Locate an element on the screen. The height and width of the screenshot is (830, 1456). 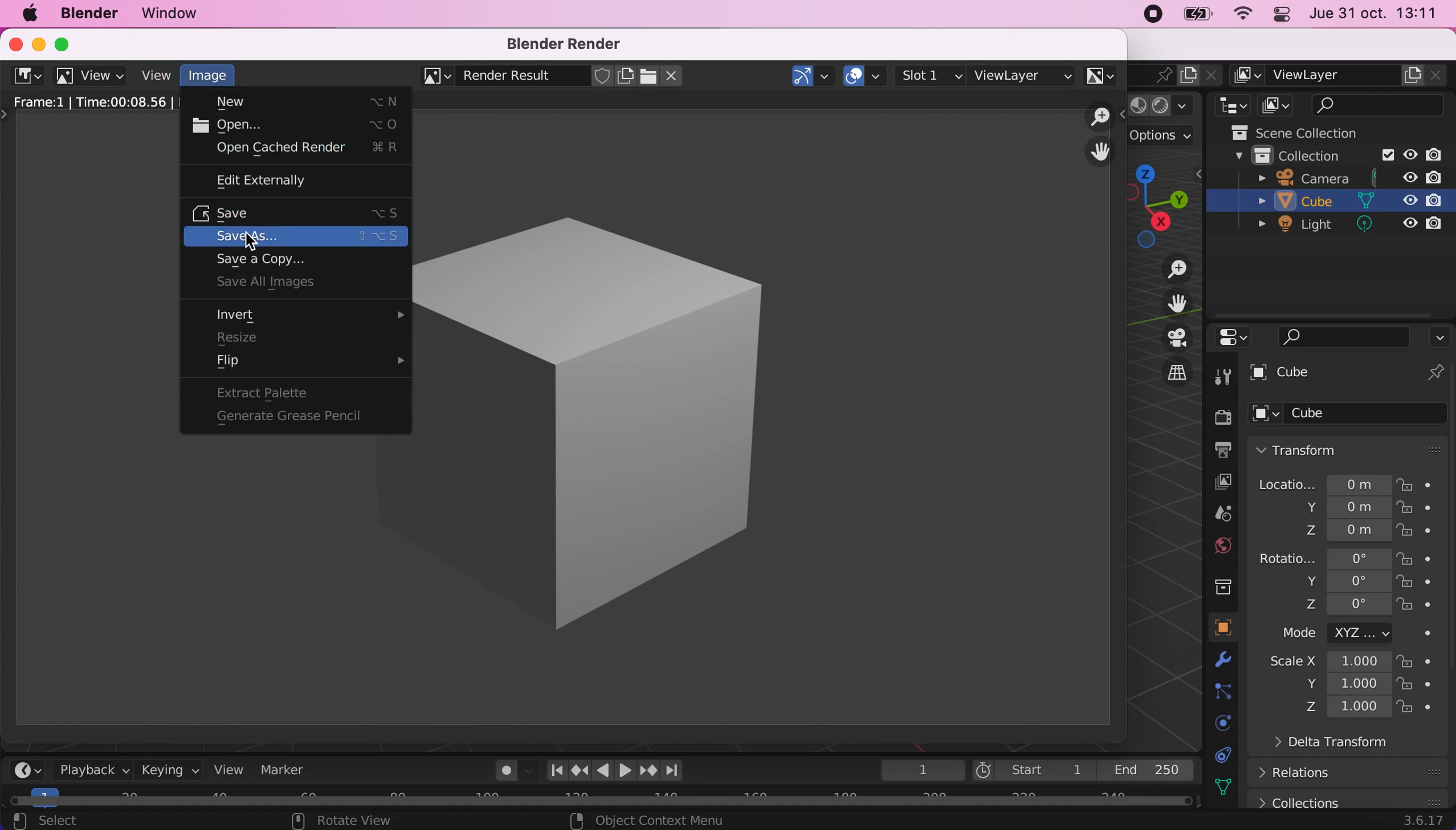
end 250 is located at coordinates (1152, 771).